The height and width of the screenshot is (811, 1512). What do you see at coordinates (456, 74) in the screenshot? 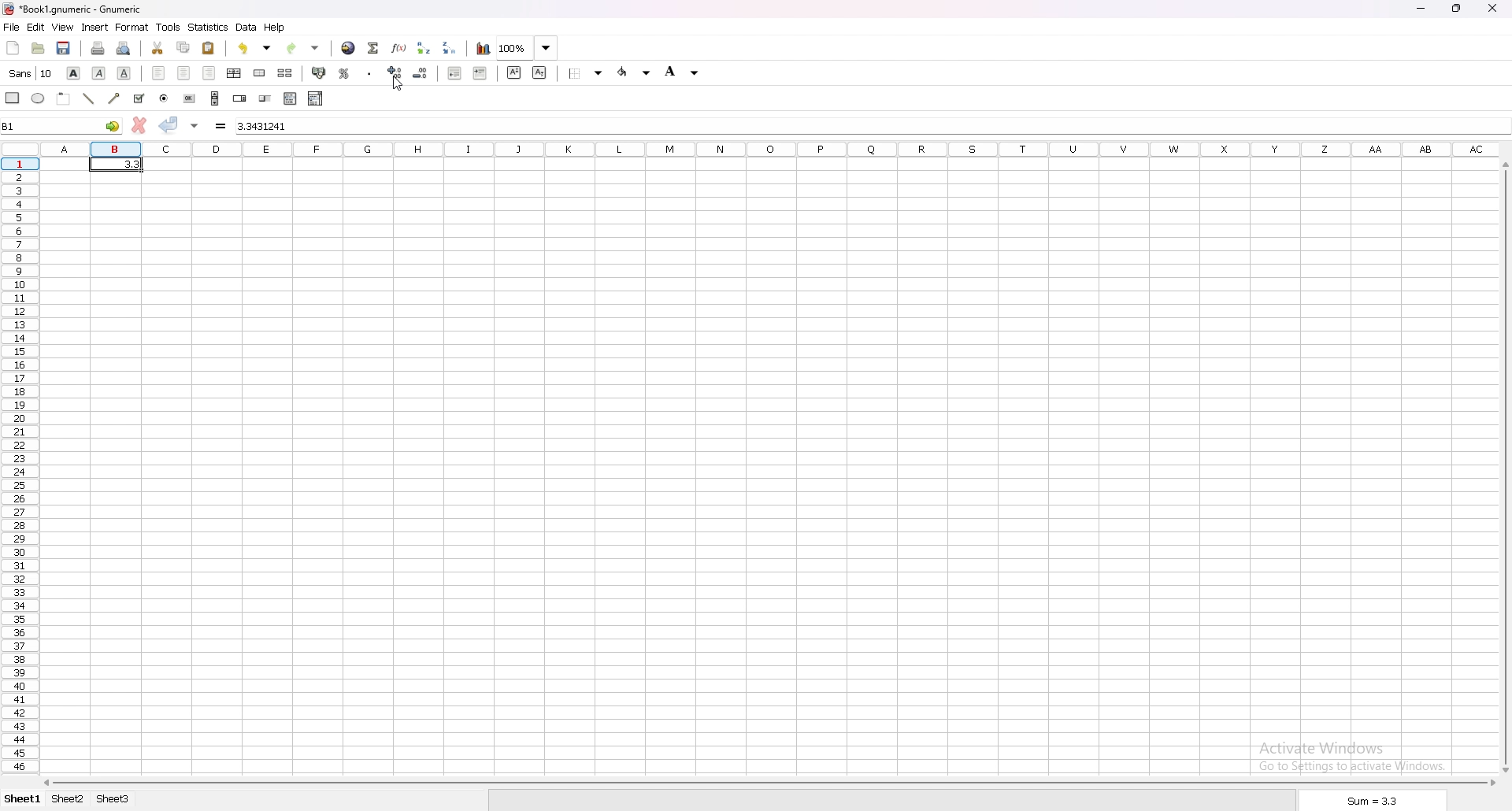
I see `decrease indent` at bounding box center [456, 74].